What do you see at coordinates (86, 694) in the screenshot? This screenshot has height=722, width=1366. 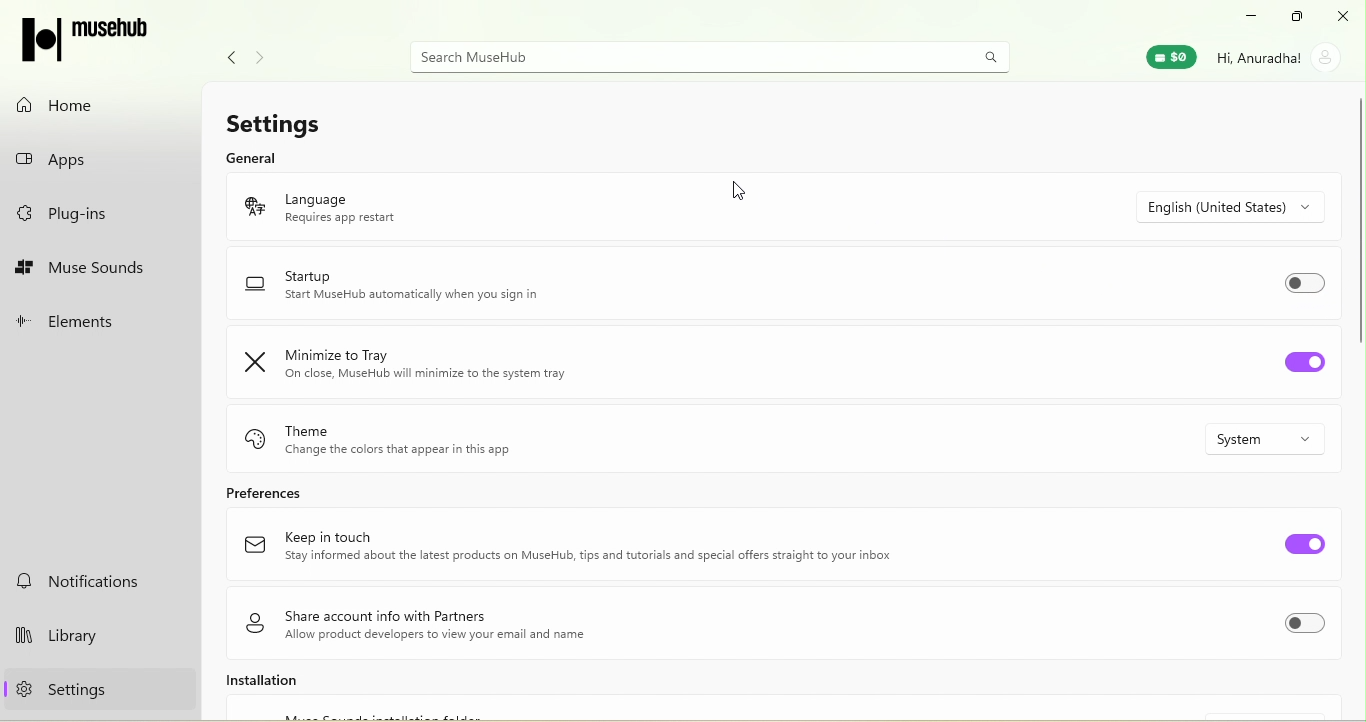 I see `settings` at bounding box center [86, 694].